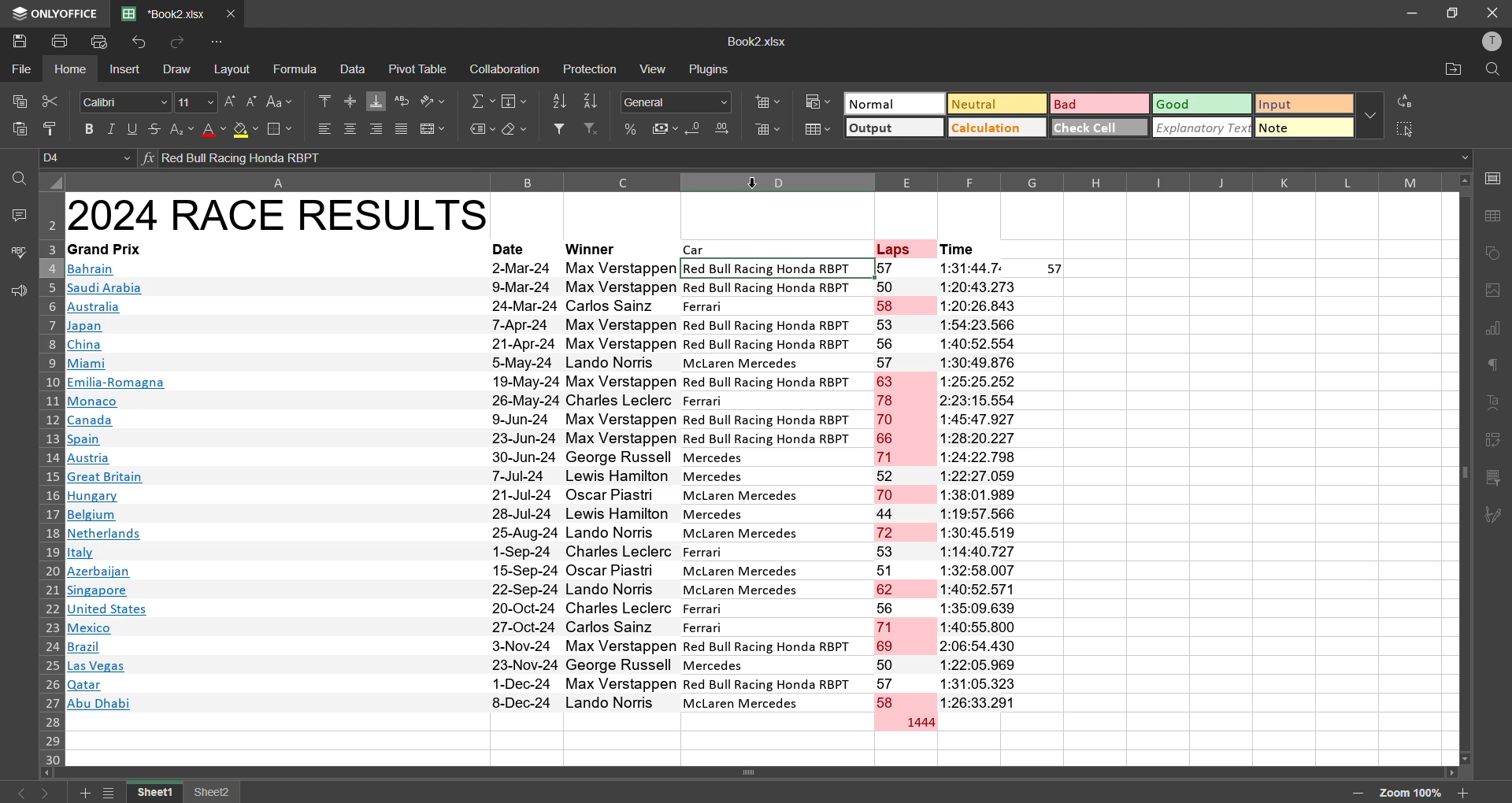  Describe the element at coordinates (754, 773) in the screenshot. I see `scrollbar` at that location.